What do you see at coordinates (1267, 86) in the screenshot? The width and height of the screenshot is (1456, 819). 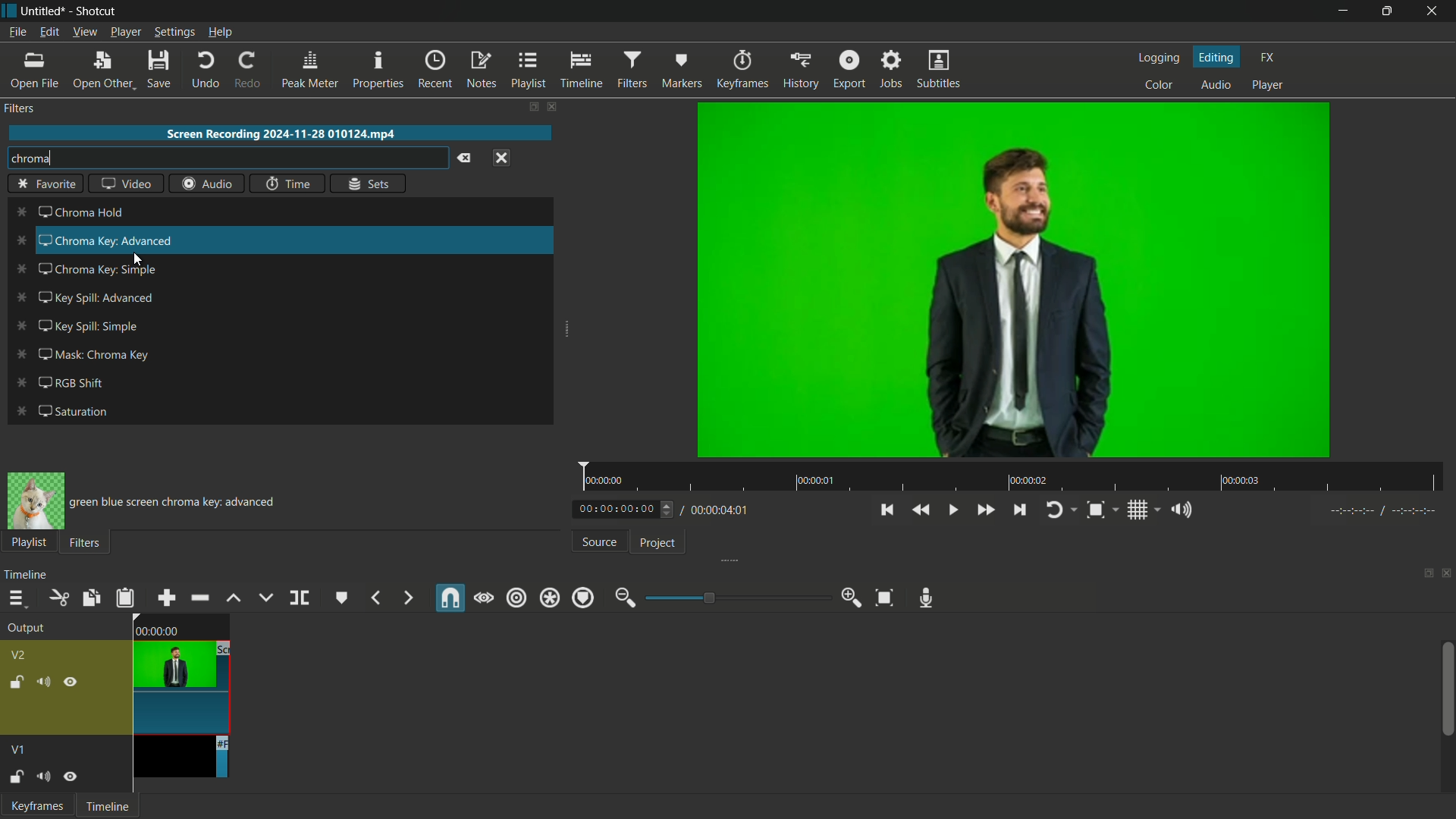 I see `player` at bounding box center [1267, 86].